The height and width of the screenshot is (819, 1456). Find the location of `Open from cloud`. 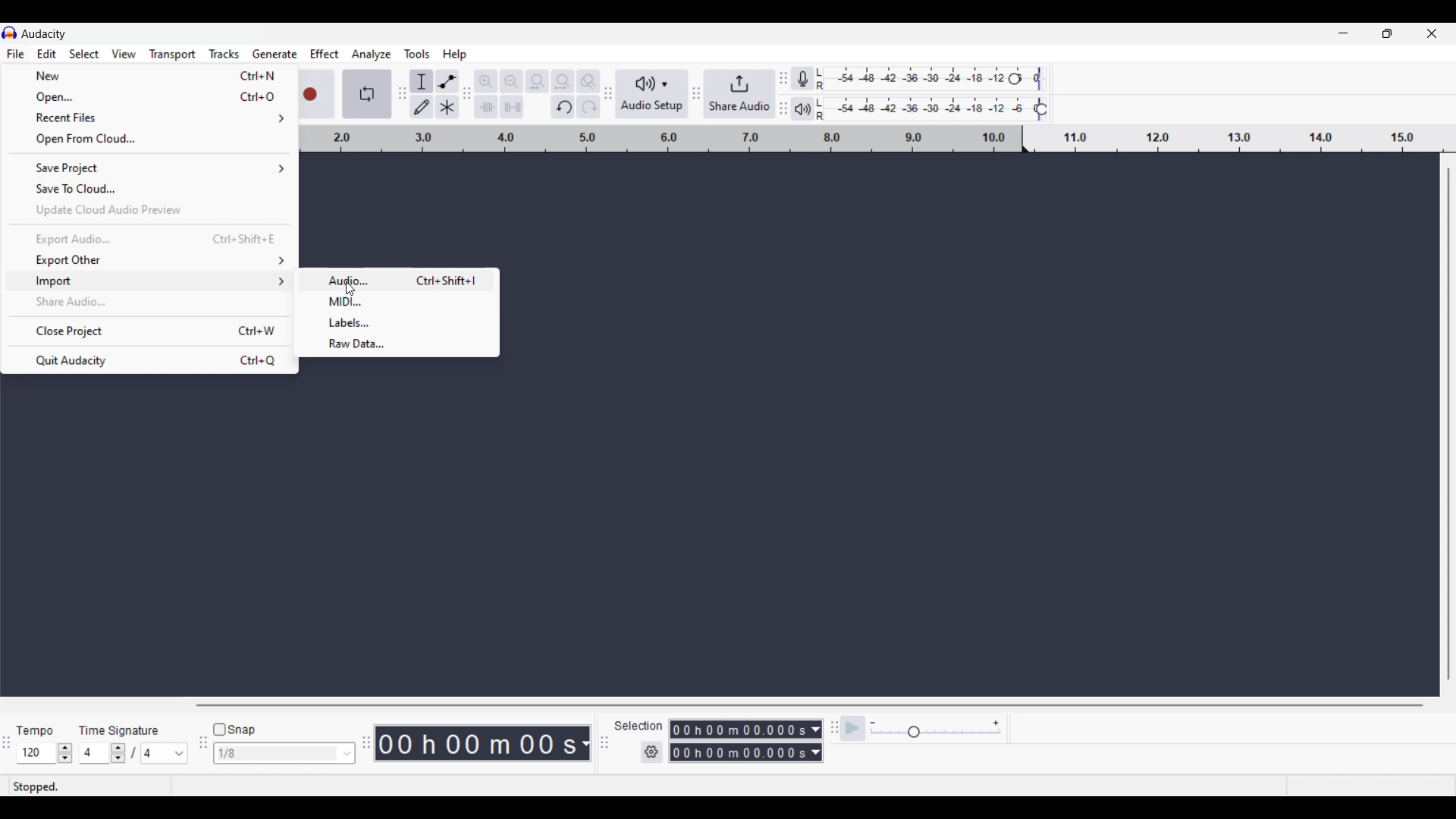

Open from cloud is located at coordinates (149, 139).